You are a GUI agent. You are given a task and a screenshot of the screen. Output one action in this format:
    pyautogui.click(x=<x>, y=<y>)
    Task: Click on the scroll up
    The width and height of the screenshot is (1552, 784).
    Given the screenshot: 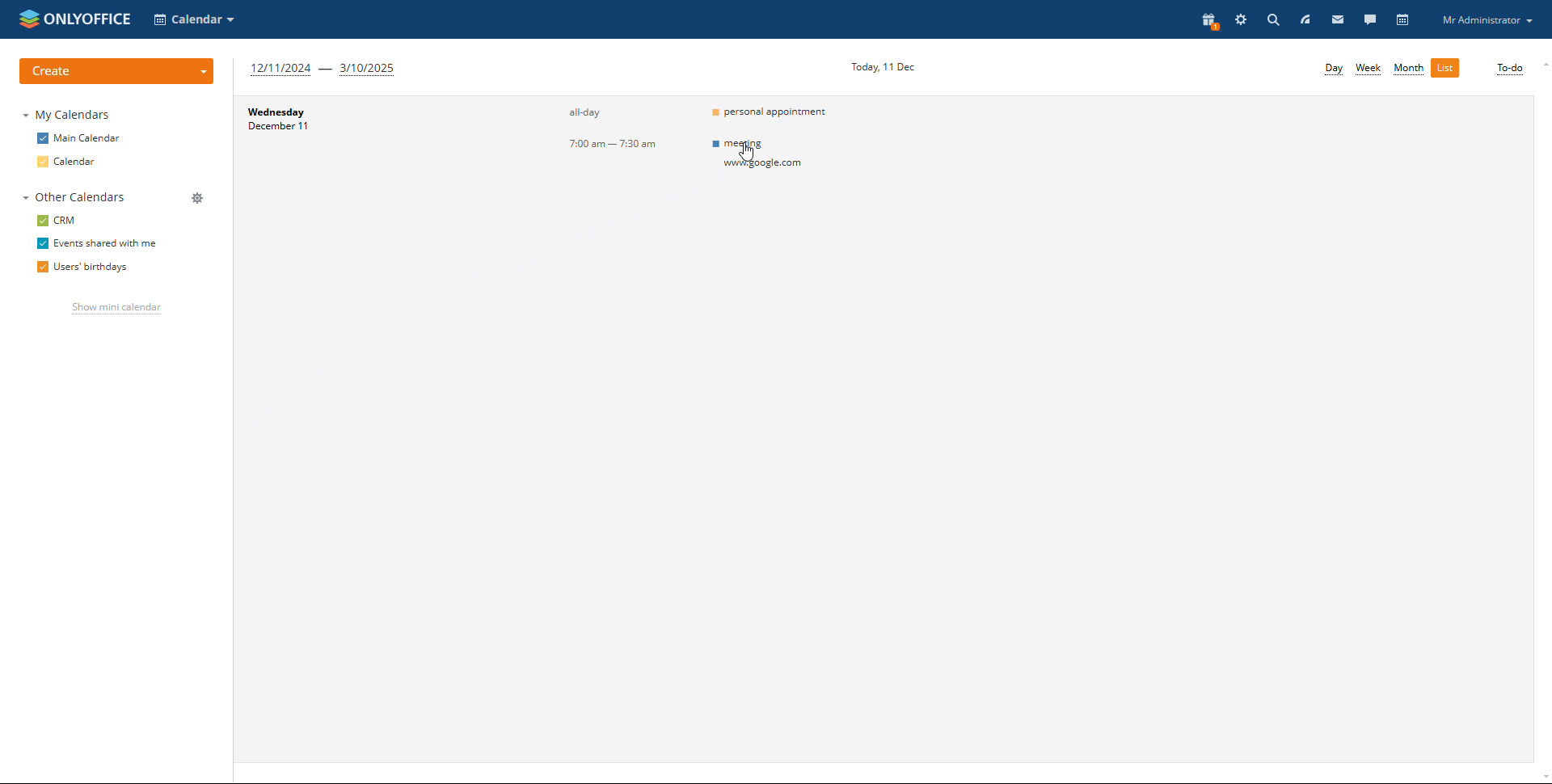 What is the action you would take?
    pyautogui.click(x=1542, y=61)
    